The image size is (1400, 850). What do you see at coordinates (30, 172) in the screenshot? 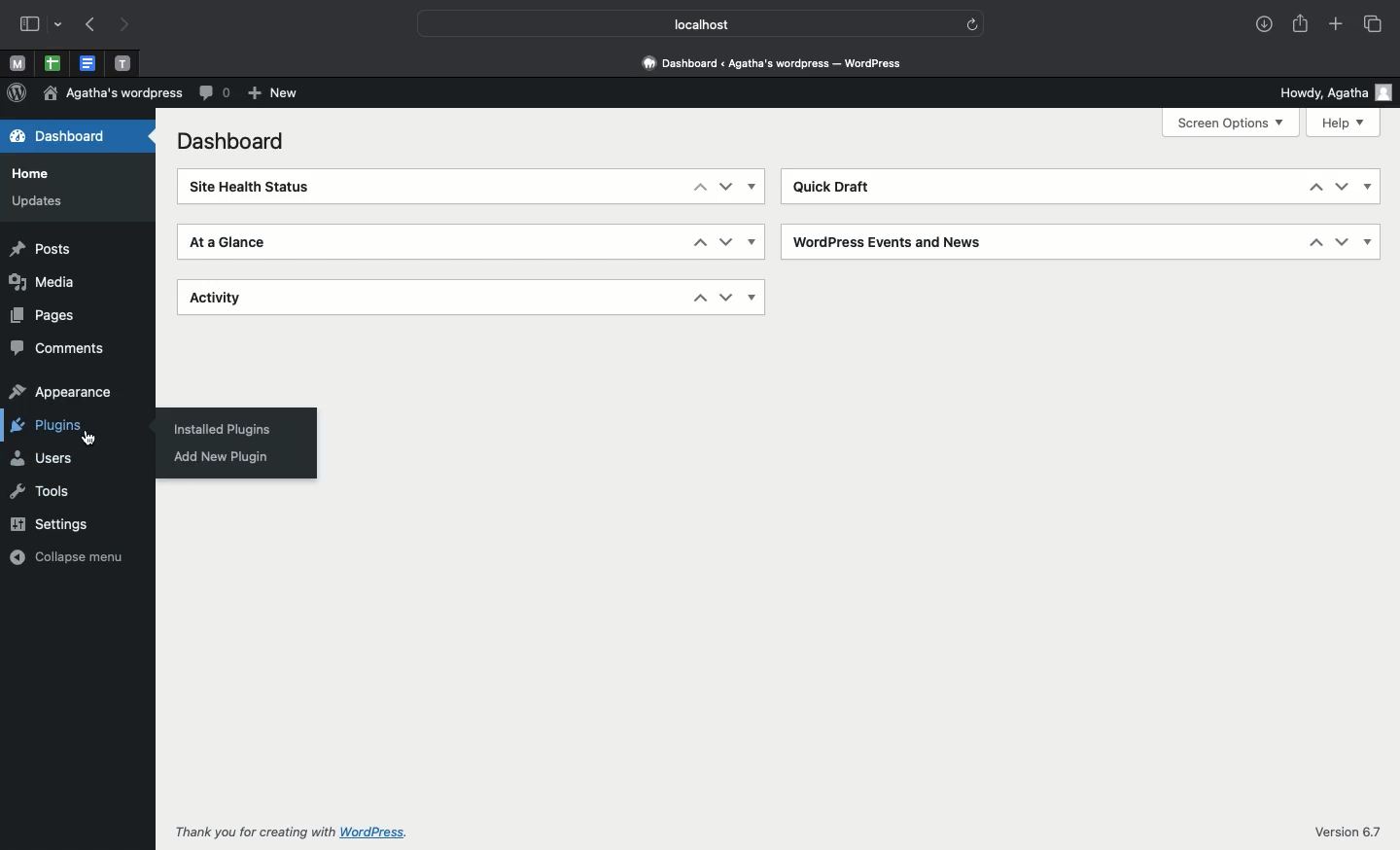
I see `Home` at bounding box center [30, 172].